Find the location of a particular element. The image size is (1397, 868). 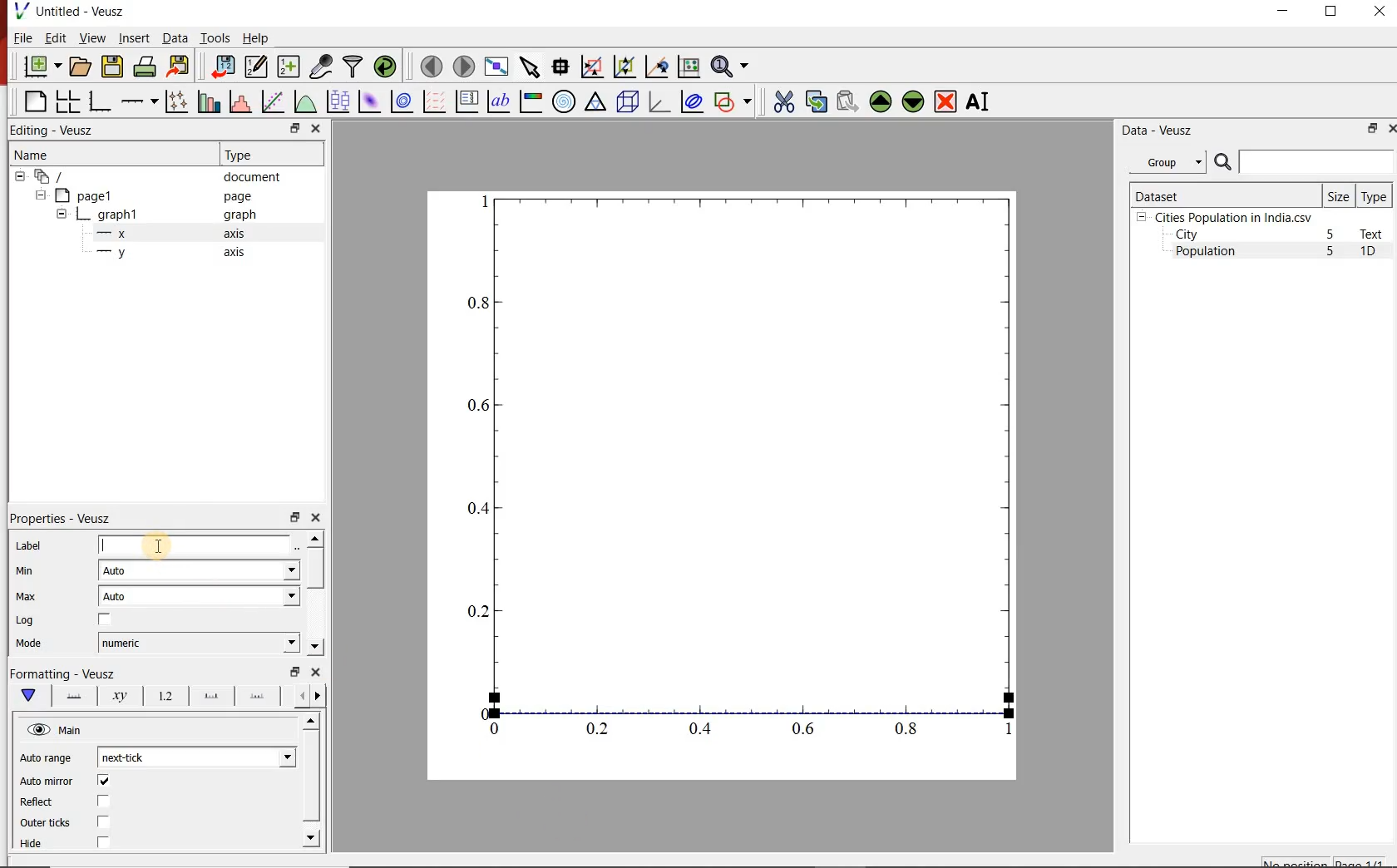

plot a 2d dataset as an image is located at coordinates (368, 100).